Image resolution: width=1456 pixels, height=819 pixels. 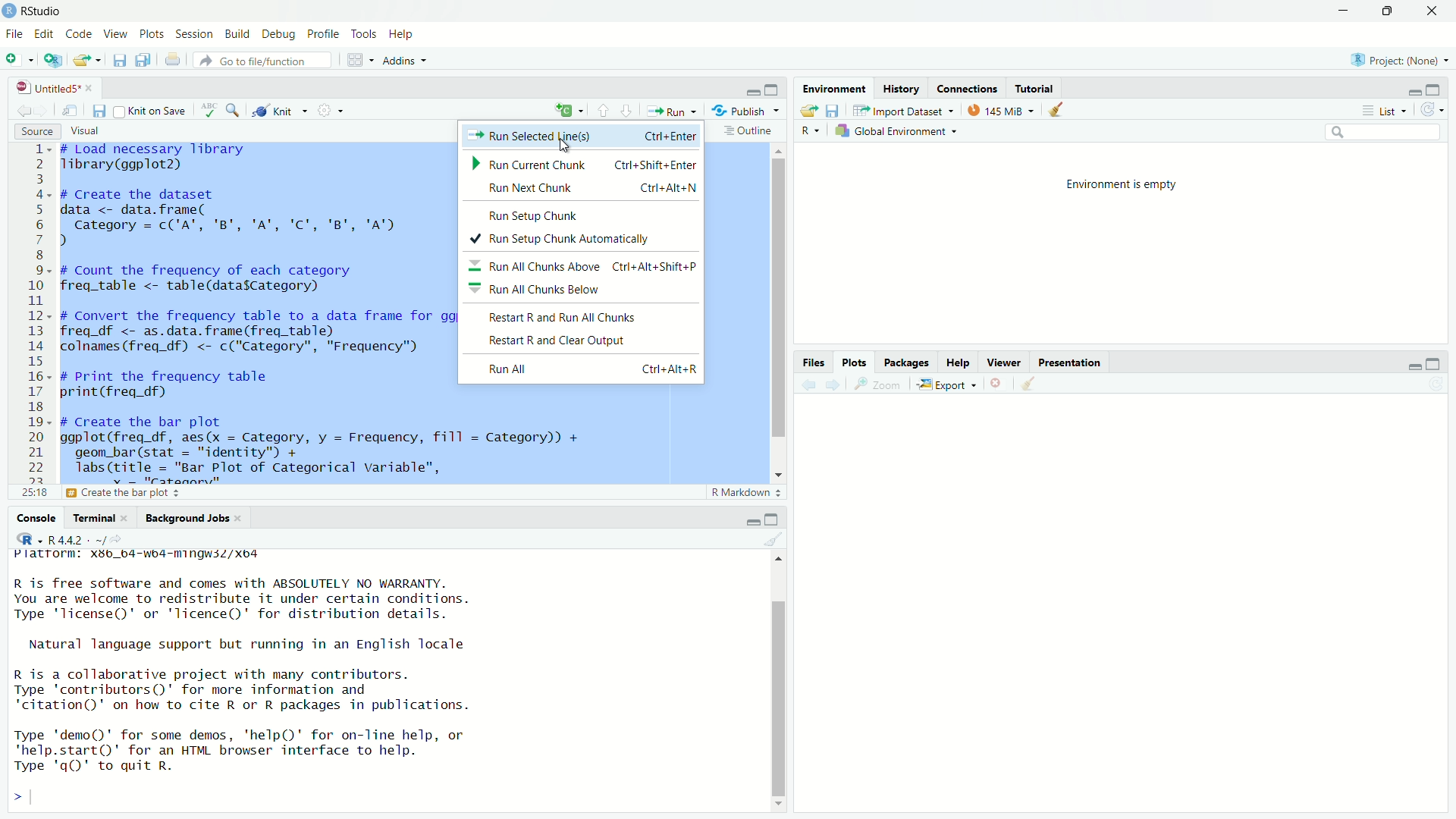 I want to click on save, so click(x=834, y=111).